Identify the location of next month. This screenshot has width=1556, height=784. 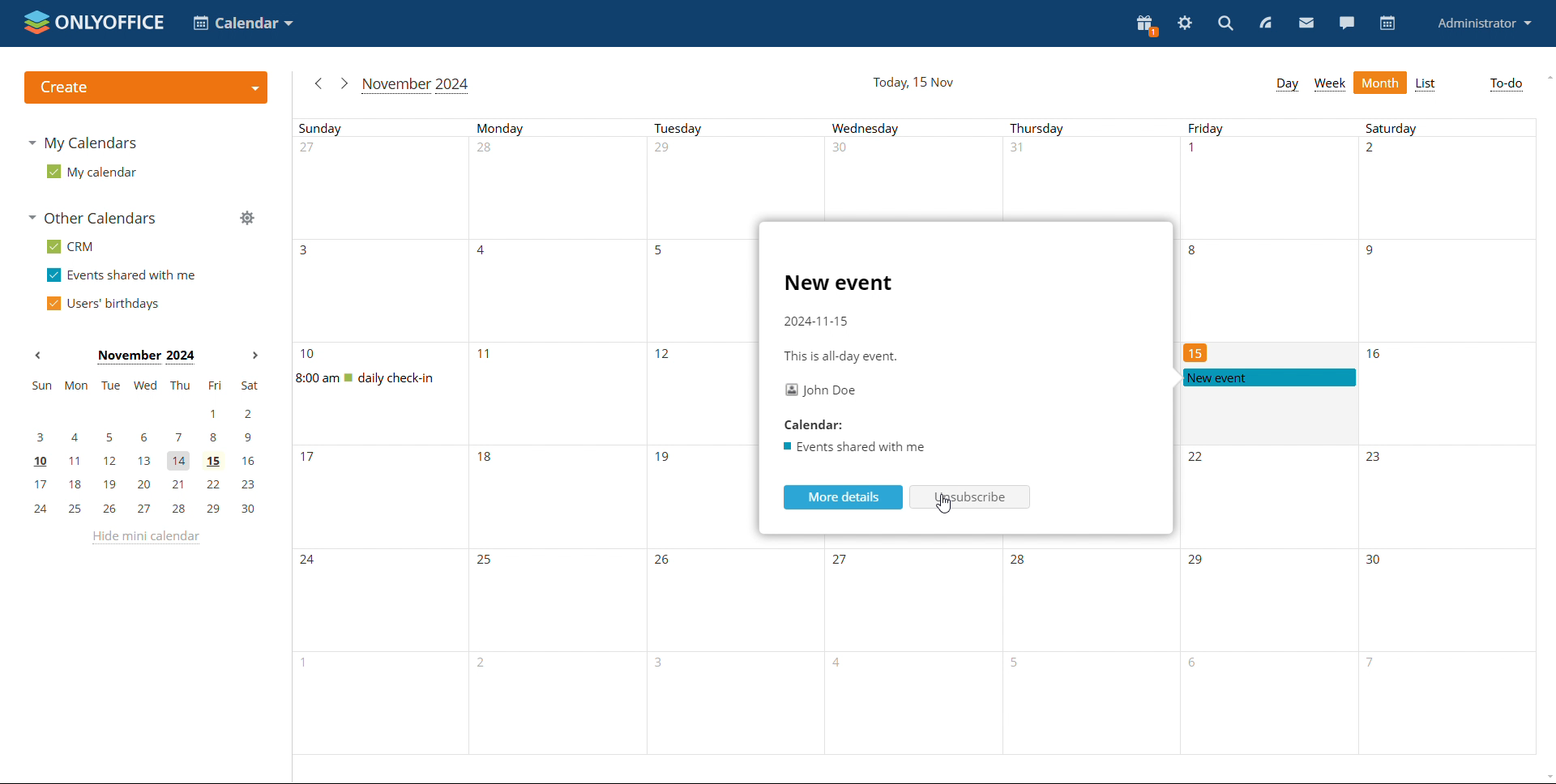
(253, 355).